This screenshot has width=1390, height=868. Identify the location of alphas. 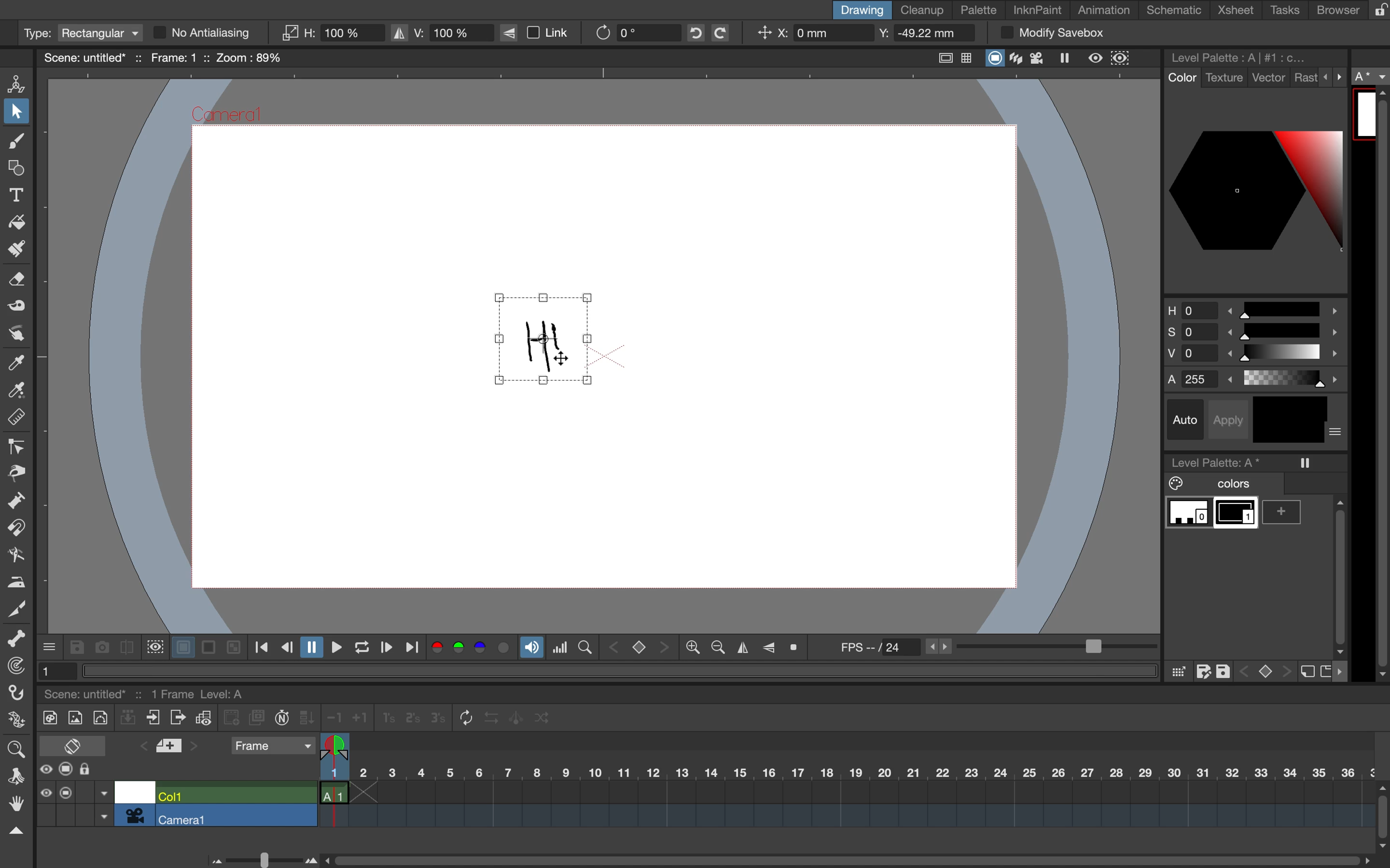
(1257, 379).